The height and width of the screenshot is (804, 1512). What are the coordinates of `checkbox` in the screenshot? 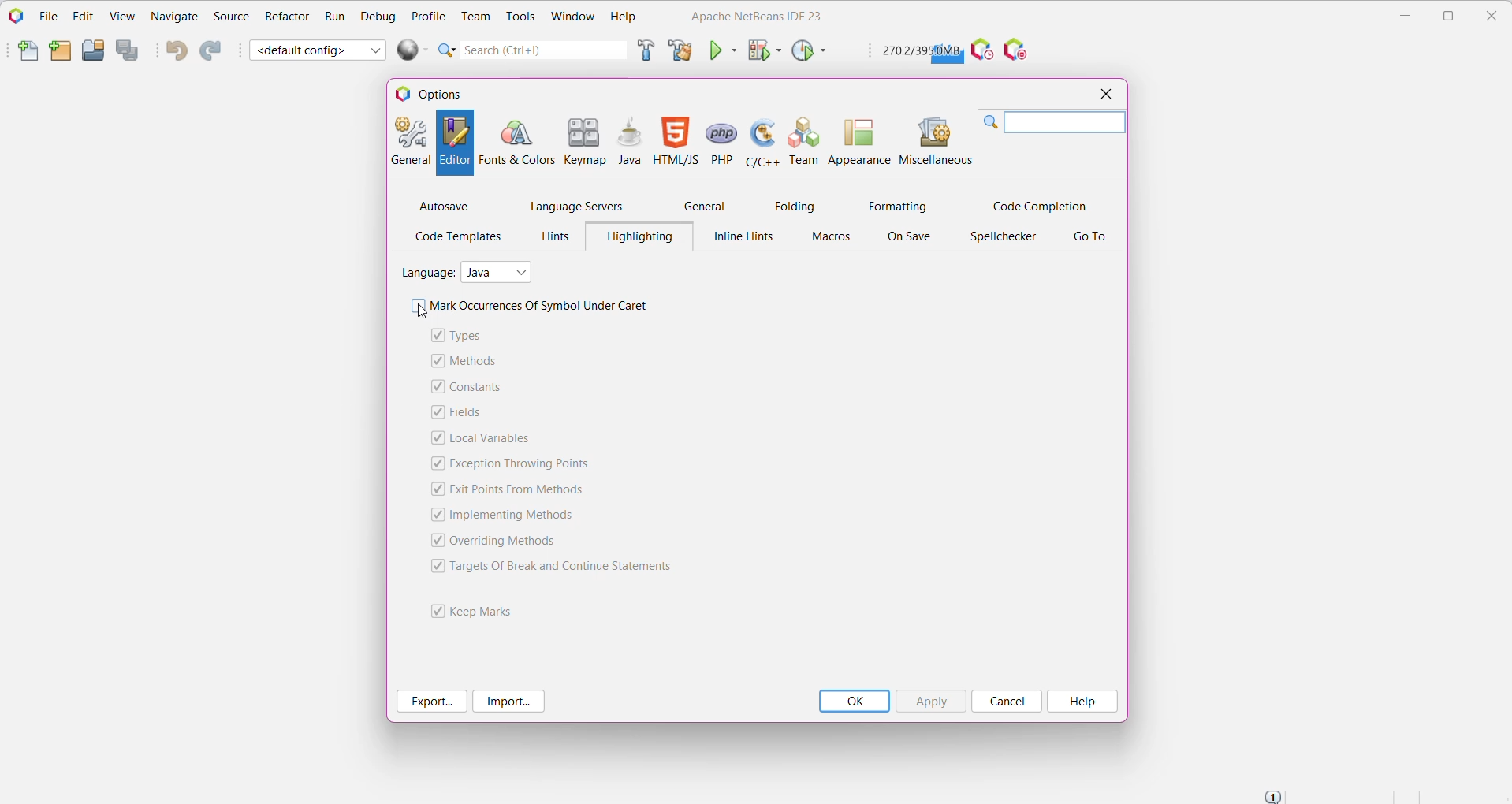 It's located at (416, 306).